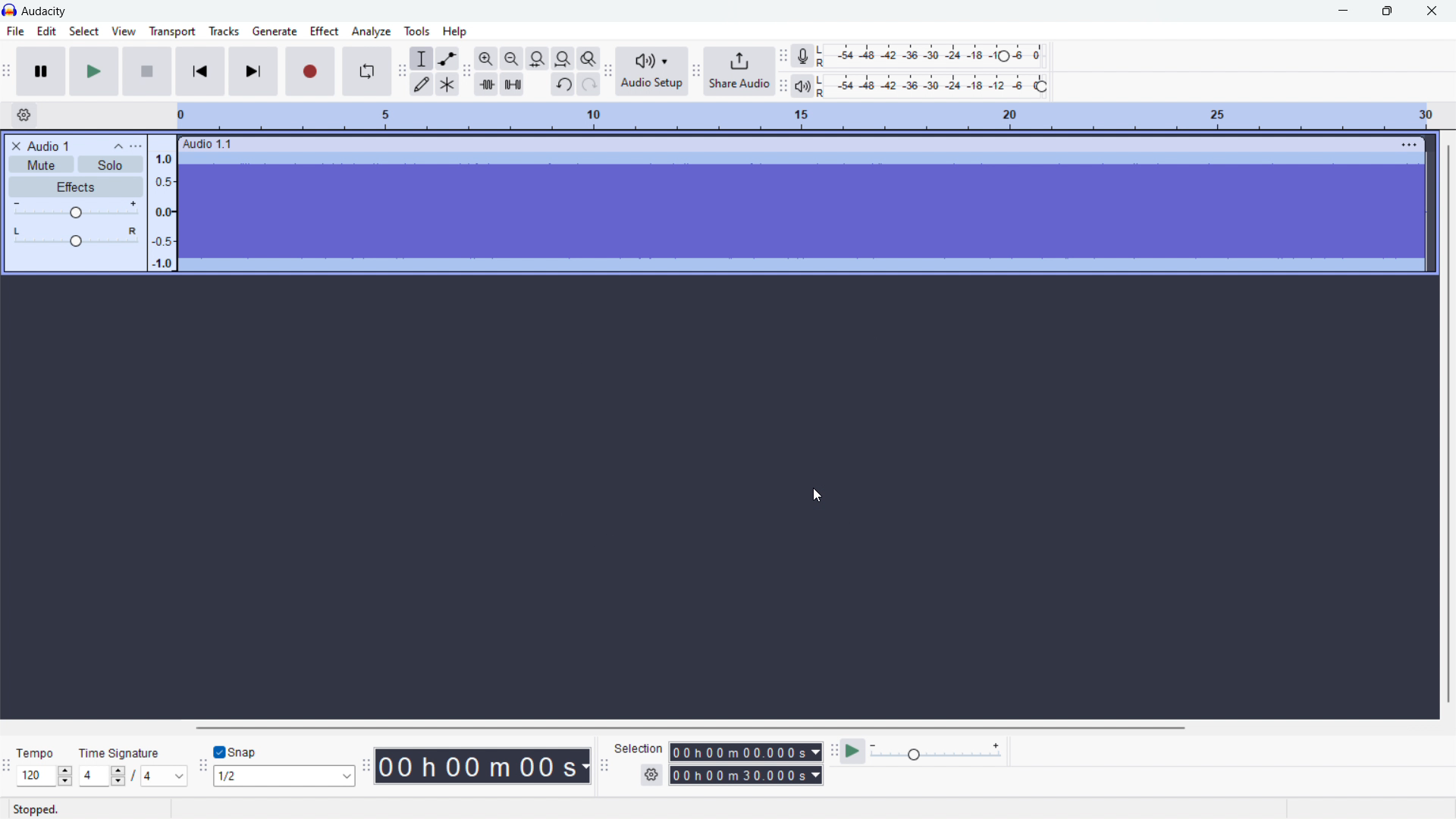 The height and width of the screenshot is (819, 1456). What do you see at coordinates (739, 72) in the screenshot?
I see `share audio` at bounding box center [739, 72].